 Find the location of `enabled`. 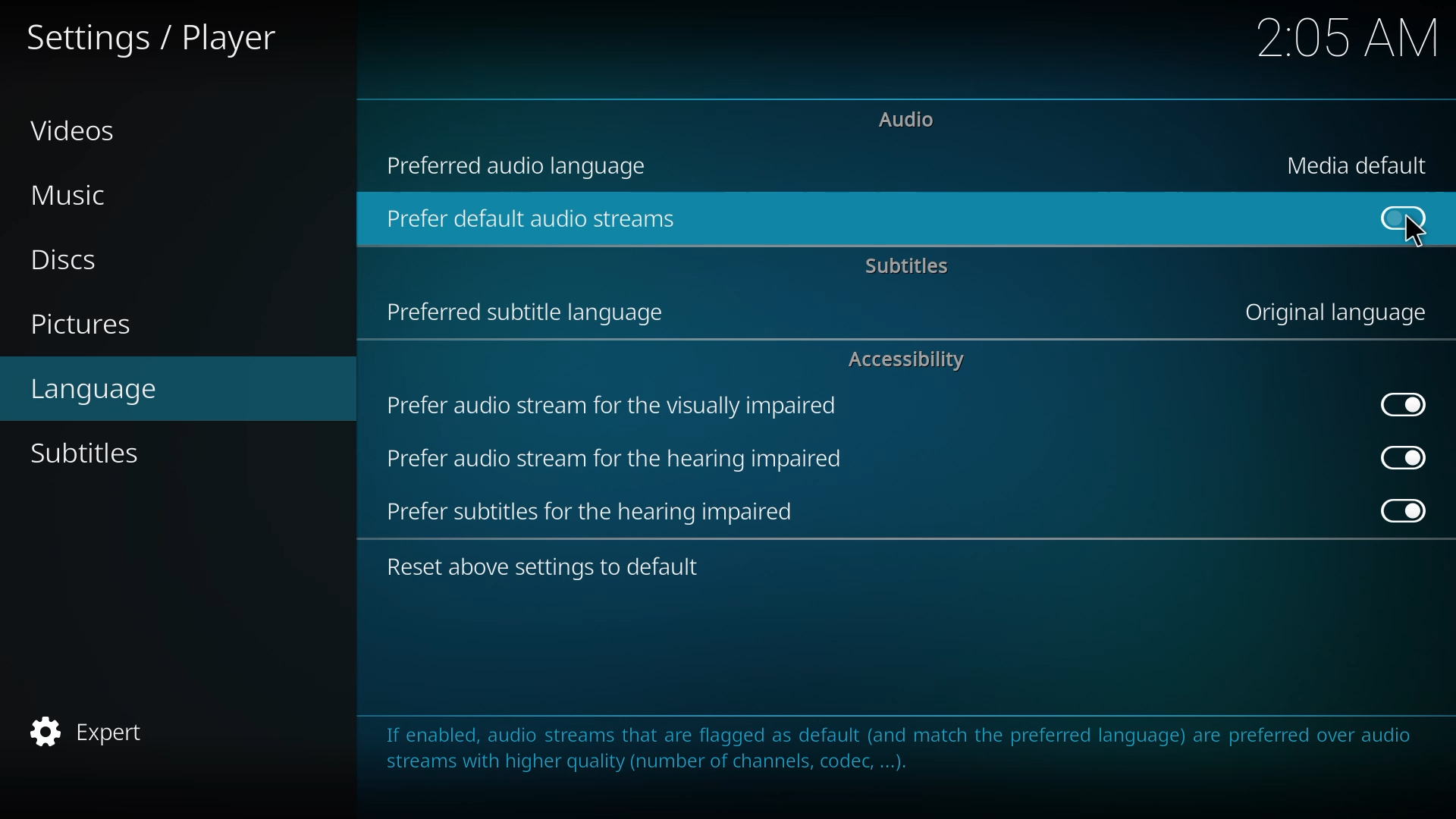

enabled is located at coordinates (1401, 457).